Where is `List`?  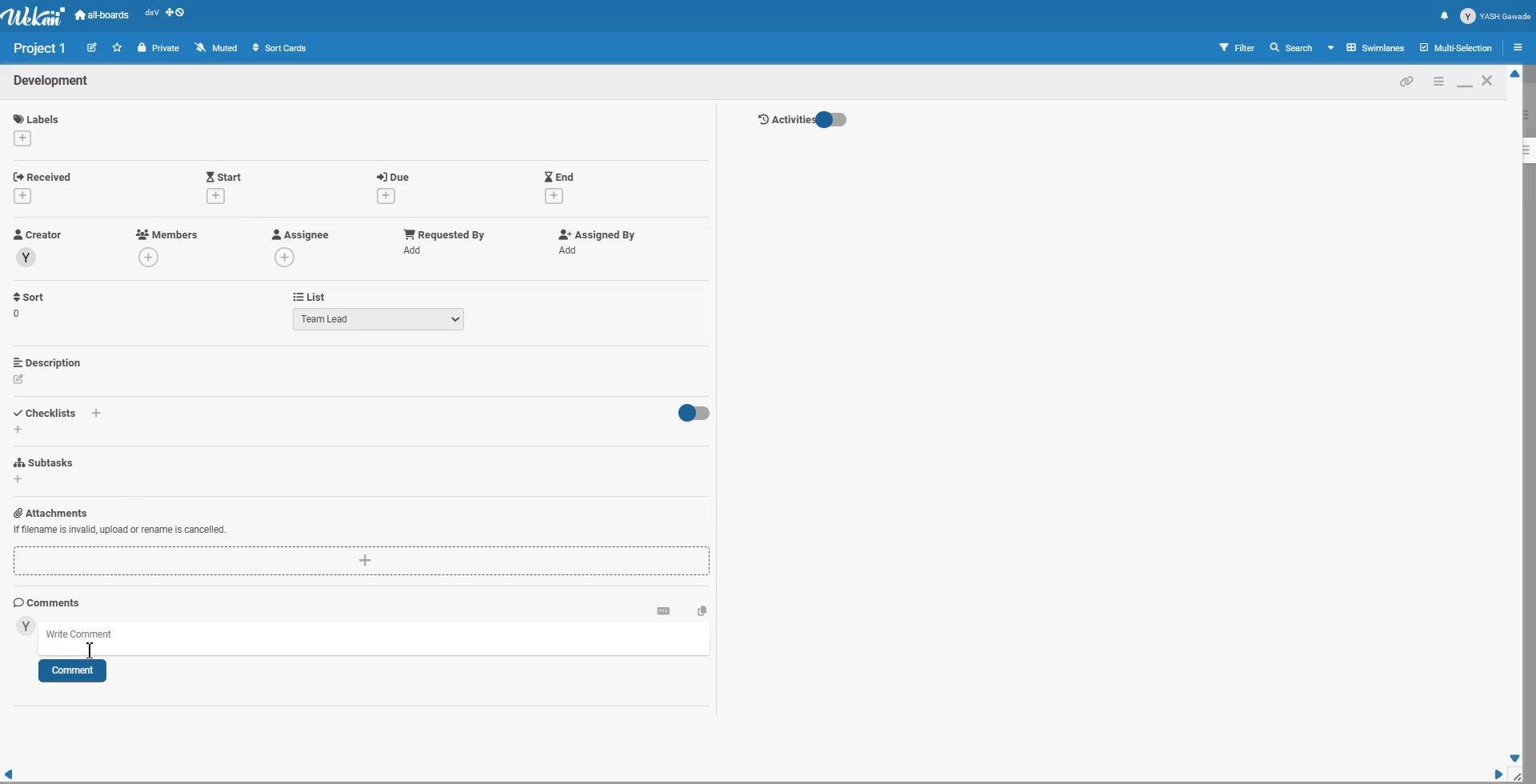
List is located at coordinates (309, 296).